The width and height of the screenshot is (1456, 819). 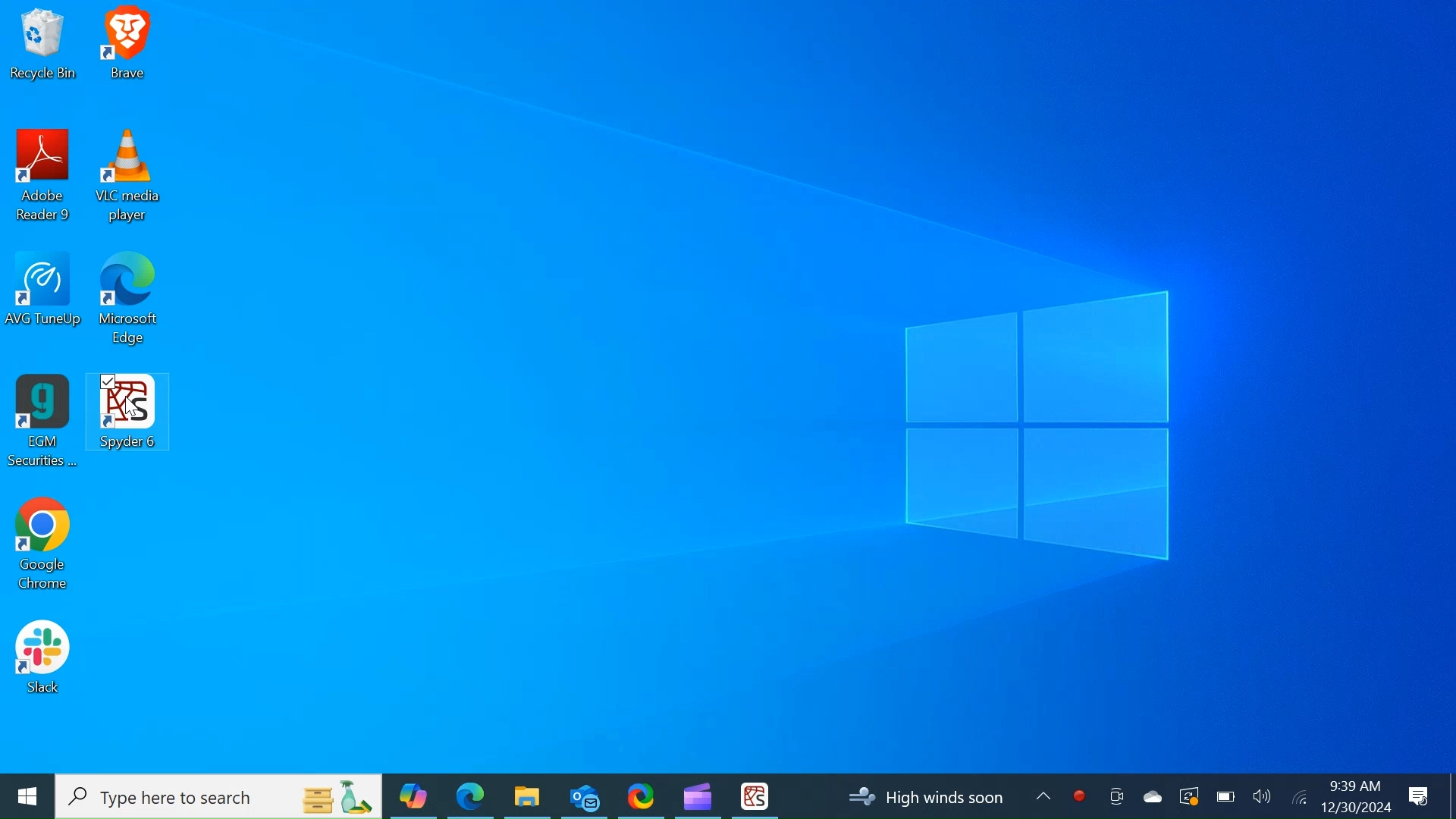 What do you see at coordinates (128, 47) in the screenshot?
I see `Brave Desktop Icon` at bounding box center [128, 47].